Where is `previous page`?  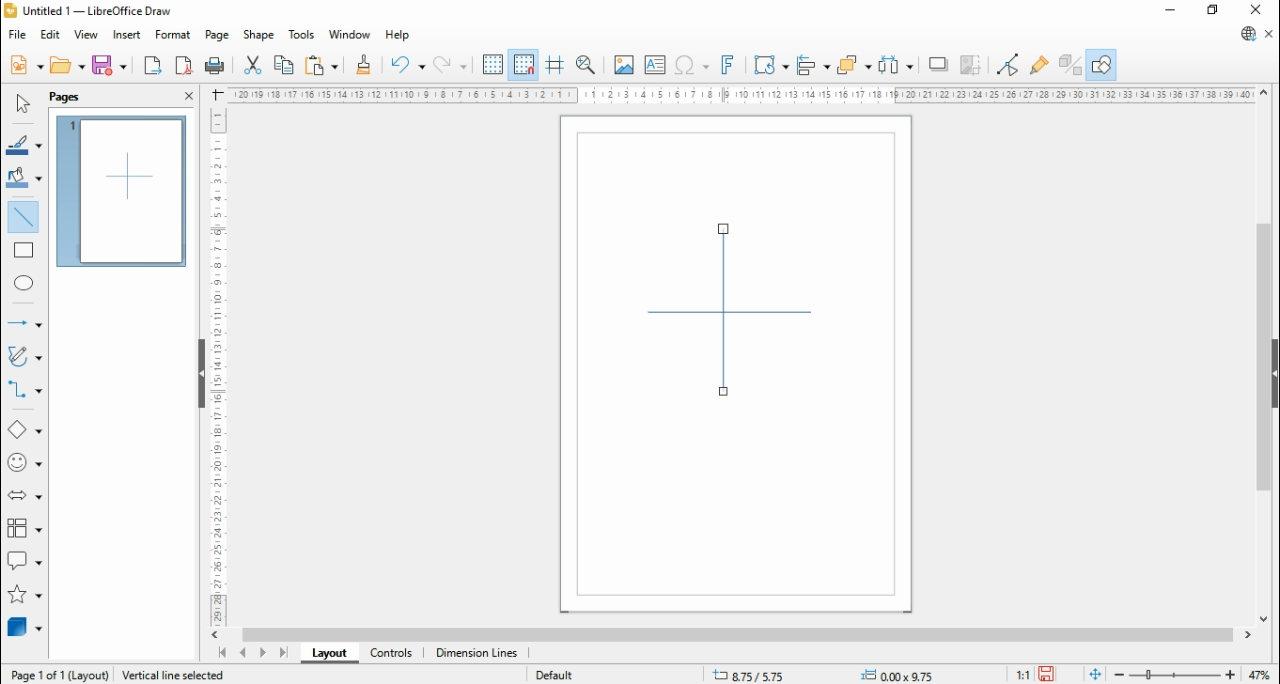
previous page is located at coordinates (242, 653).